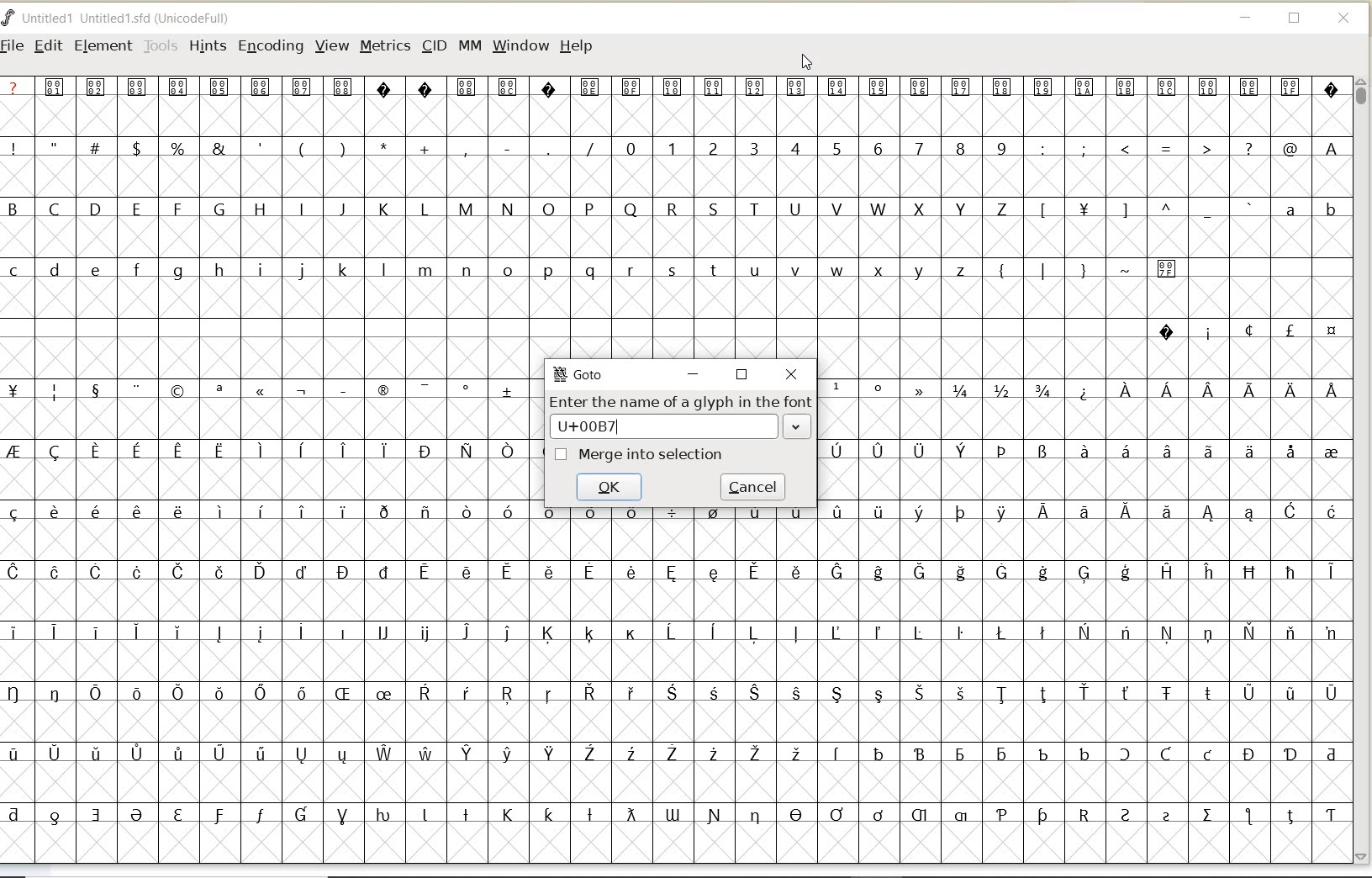  Describe the element at coordinates (271, 47) in the screenshot. I see `ENCODING` at that location.